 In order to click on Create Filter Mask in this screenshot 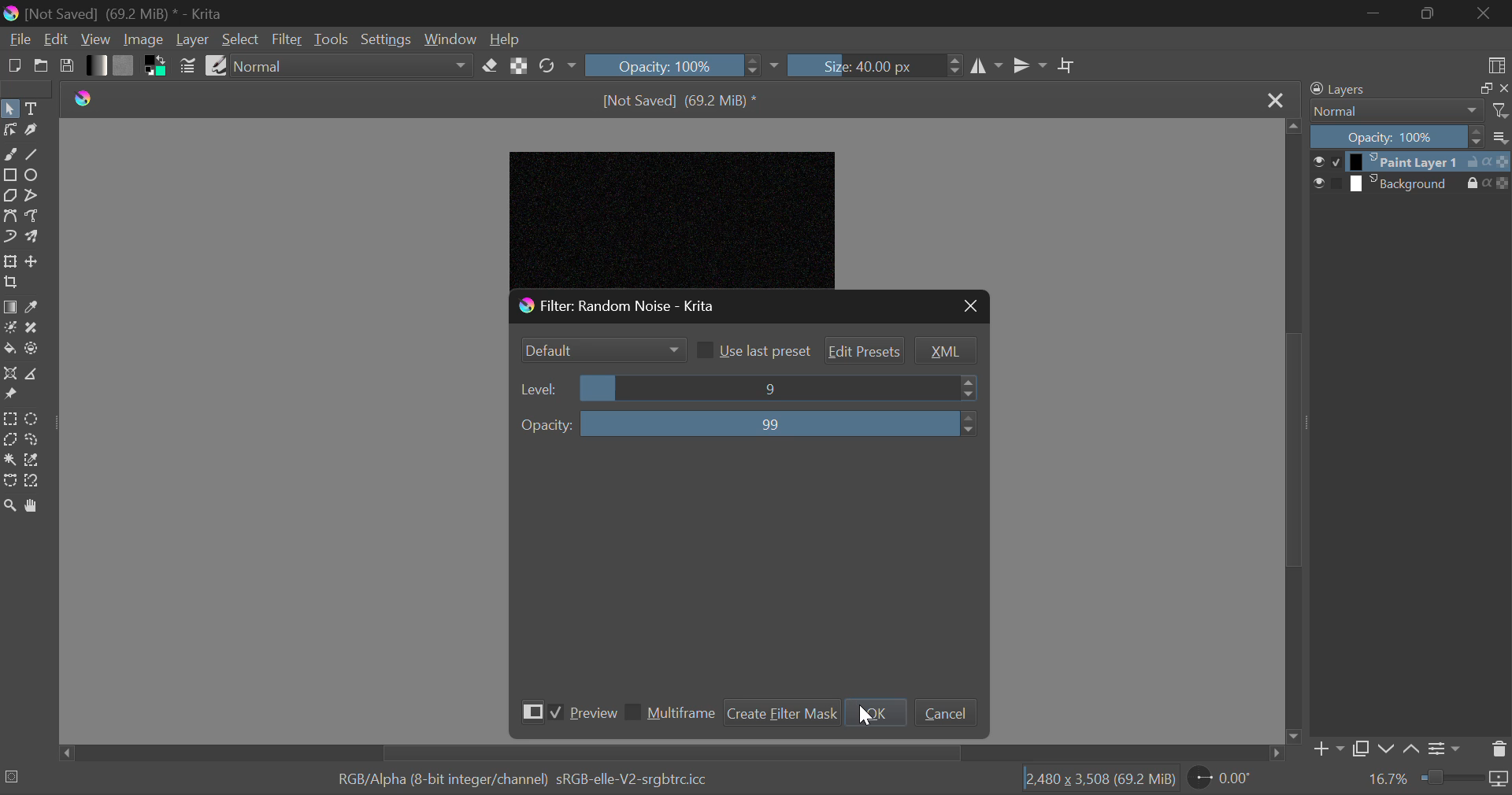, I will do `click(781, 711)`.